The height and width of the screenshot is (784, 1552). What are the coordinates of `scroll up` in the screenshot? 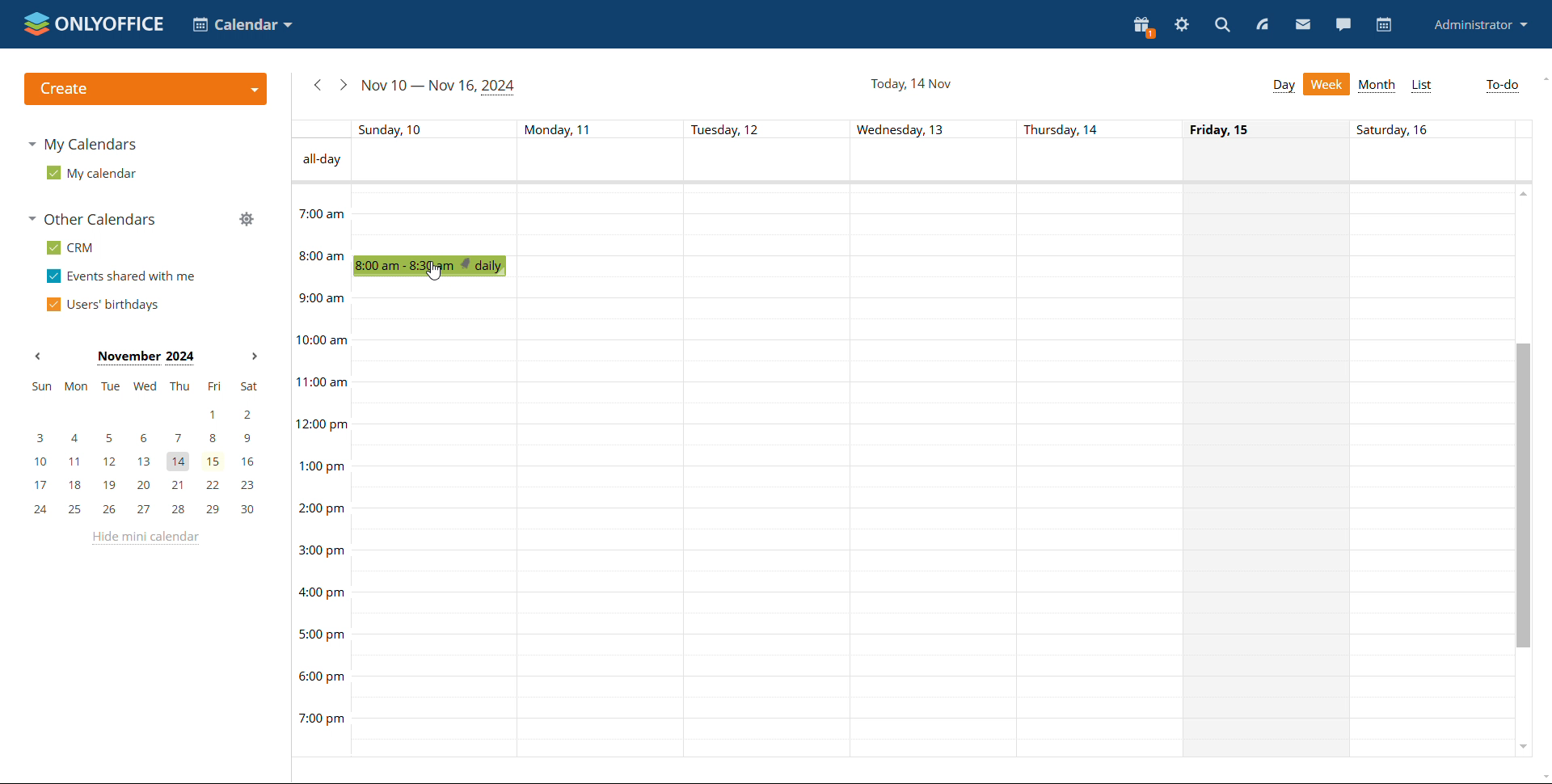 It's located at (1542, 78).